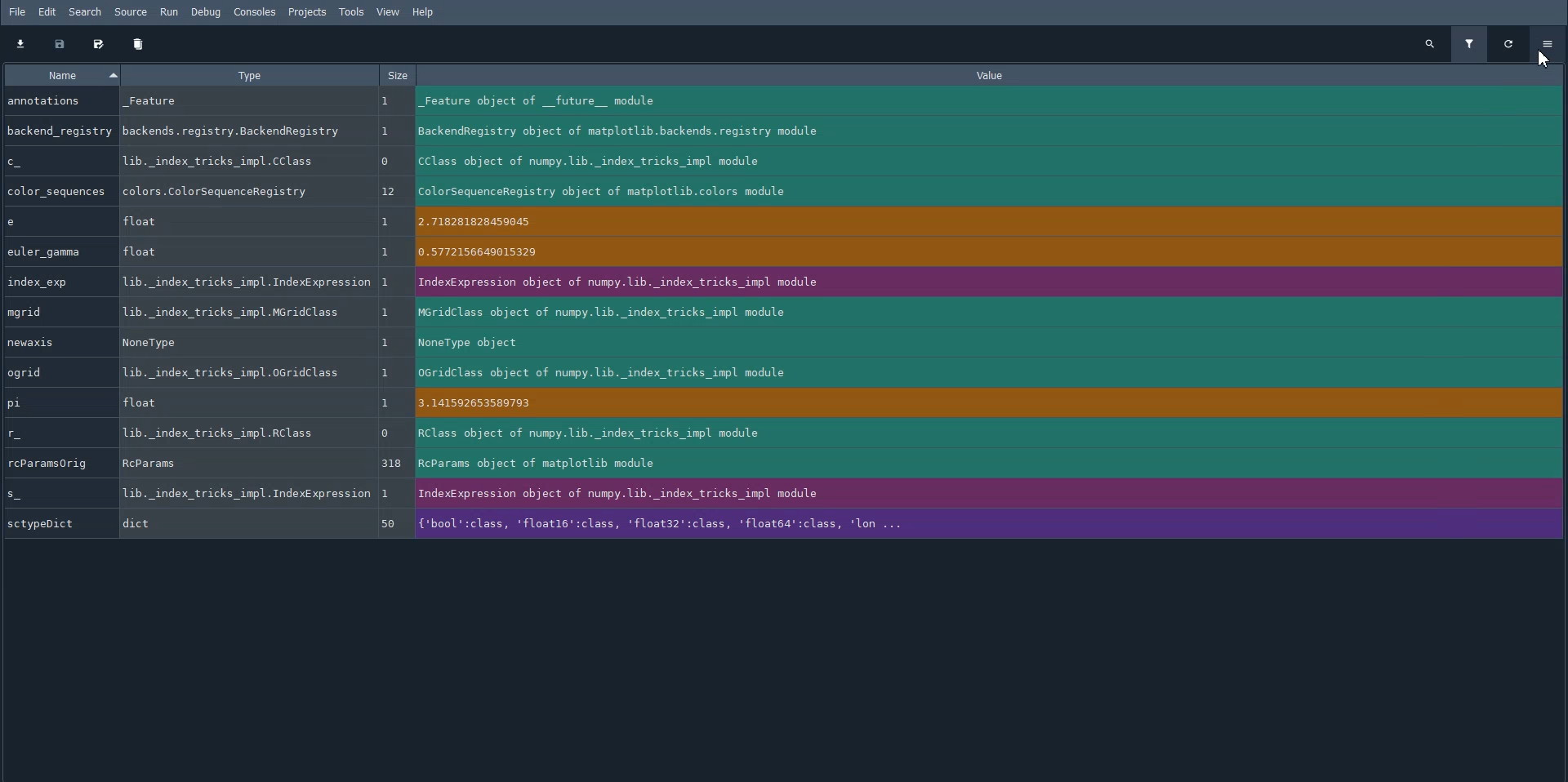  Describe the element at coordinates (982, 341) in the screenshot. I see `NoneType object` at that location.